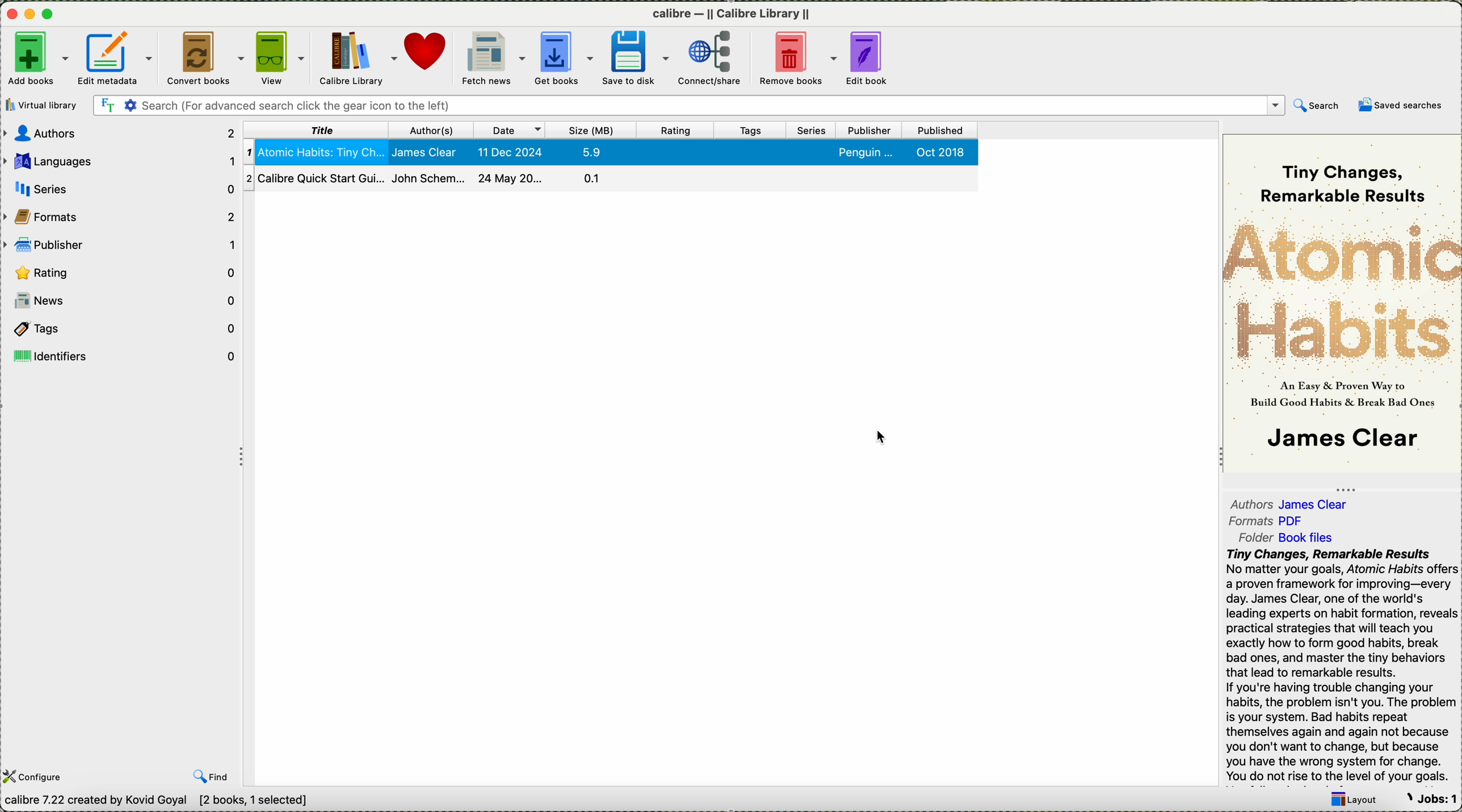 The image size is (1462, 812). What do you see at coordinates (1438, 801) in the screenshot?
I see `Jobs: 0` at bounding box center [1438, 801].